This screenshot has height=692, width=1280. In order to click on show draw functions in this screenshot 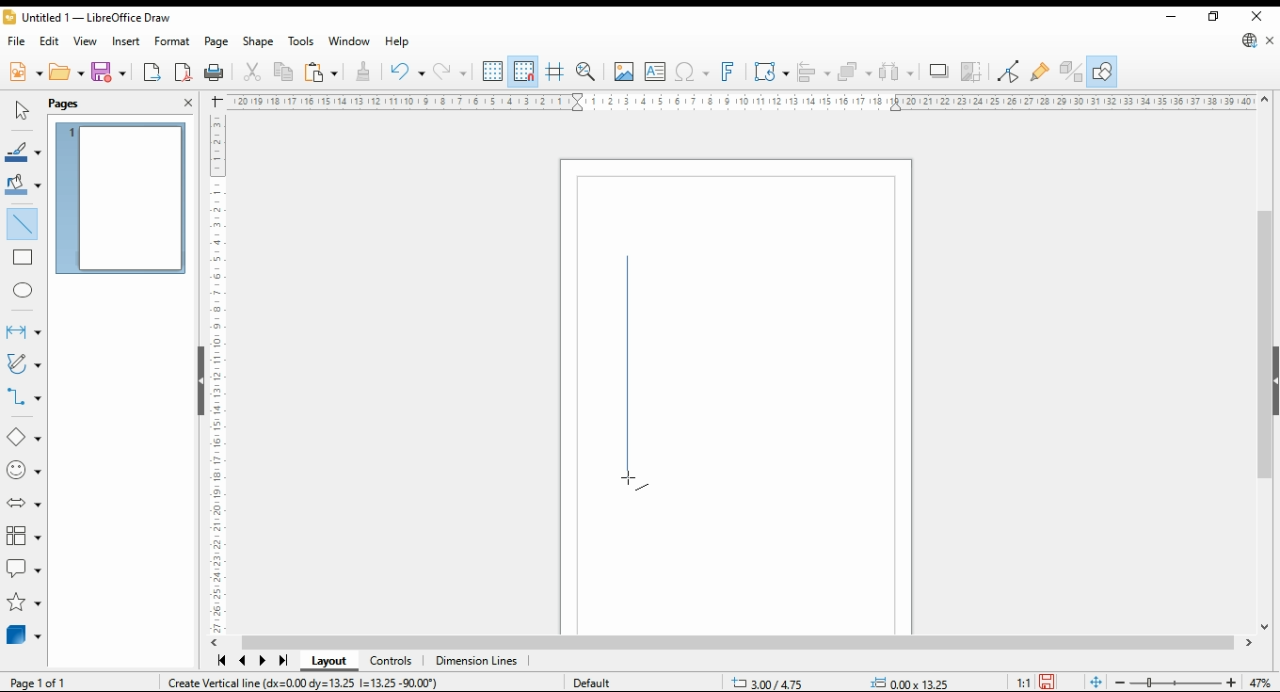, I will do `click(1102, 71)`.